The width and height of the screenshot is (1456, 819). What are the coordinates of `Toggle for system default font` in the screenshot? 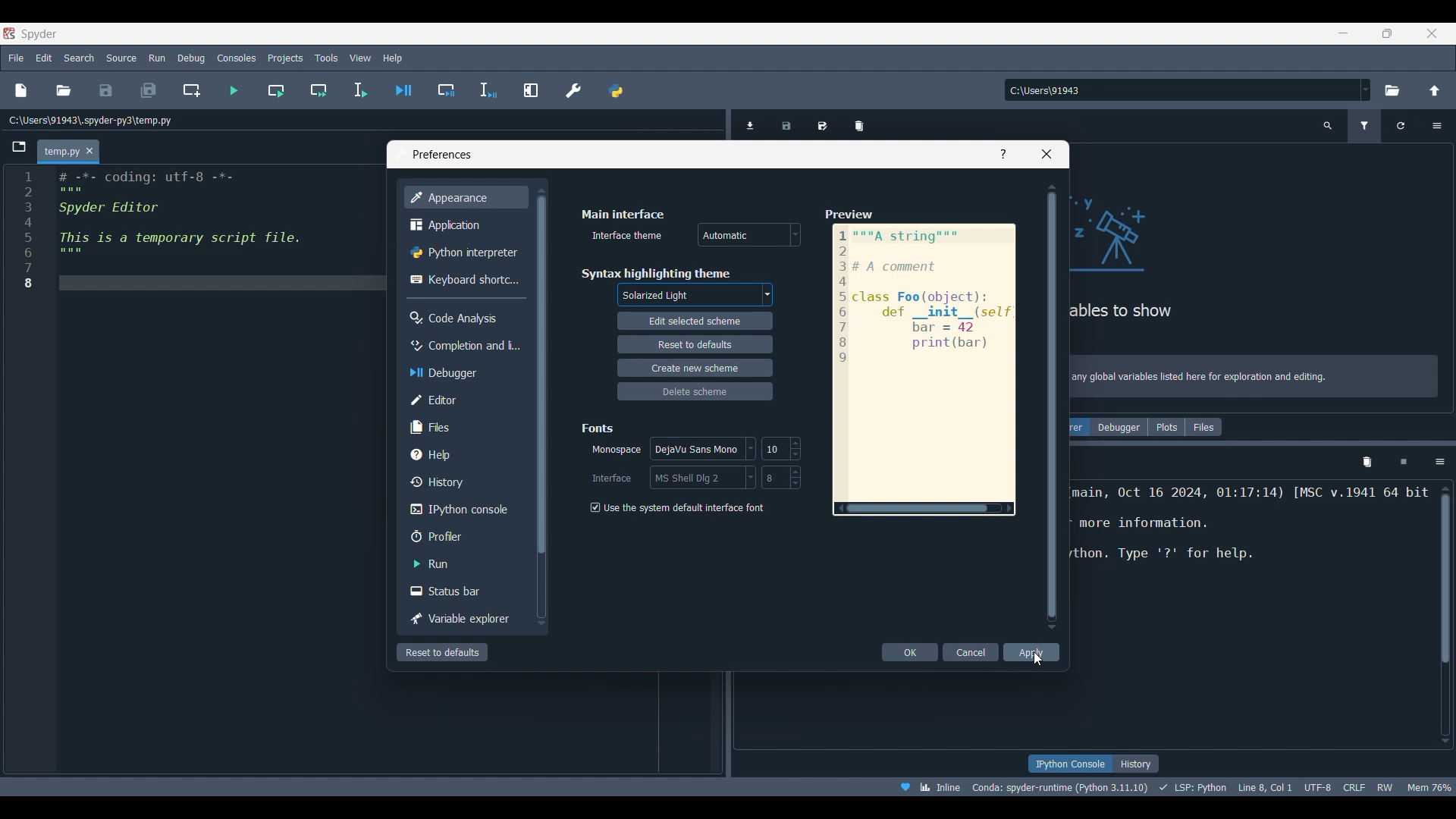 It's located at (683, 507).